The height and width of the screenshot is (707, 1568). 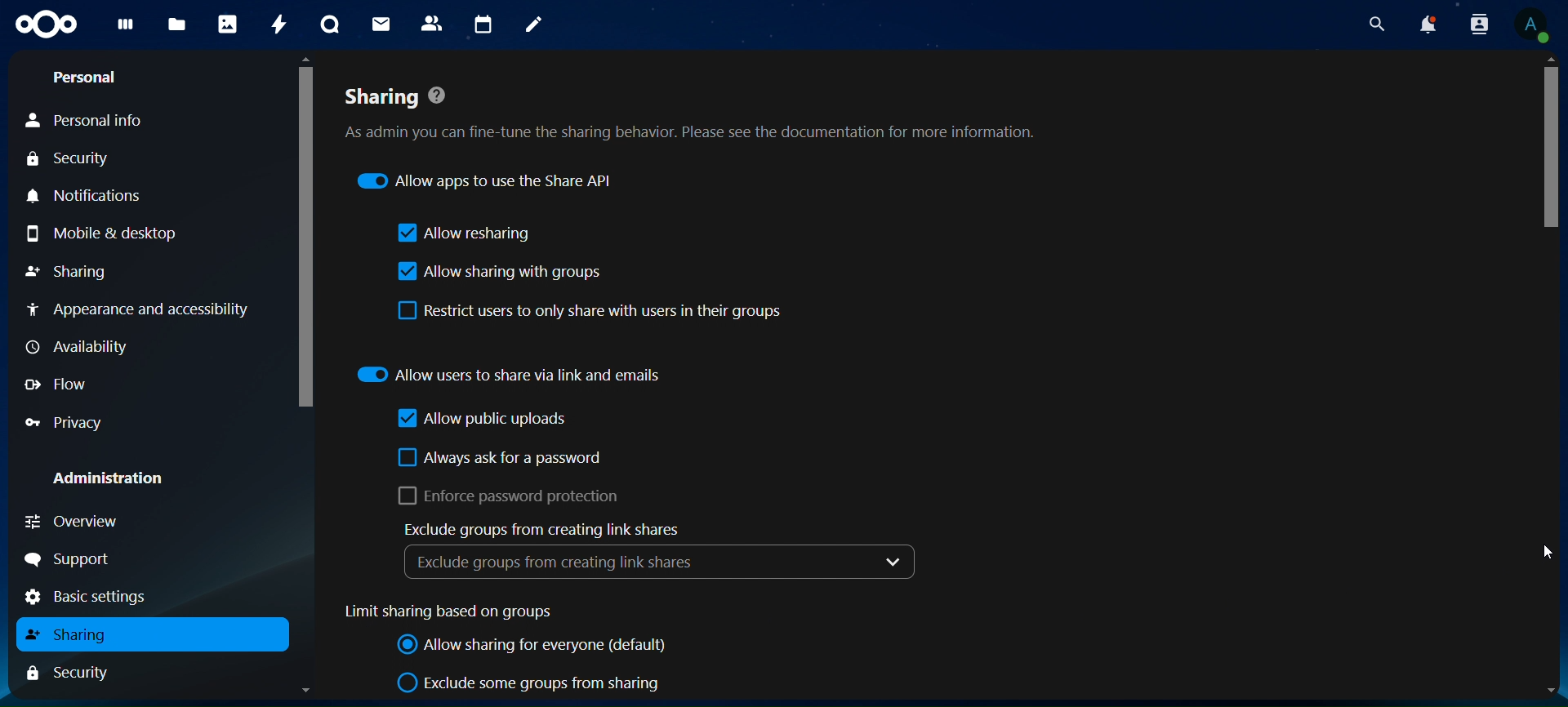 What do you see at coordinates (90, 121) in the screenshot?
I see `personal info` at bounding box center [90, 121].